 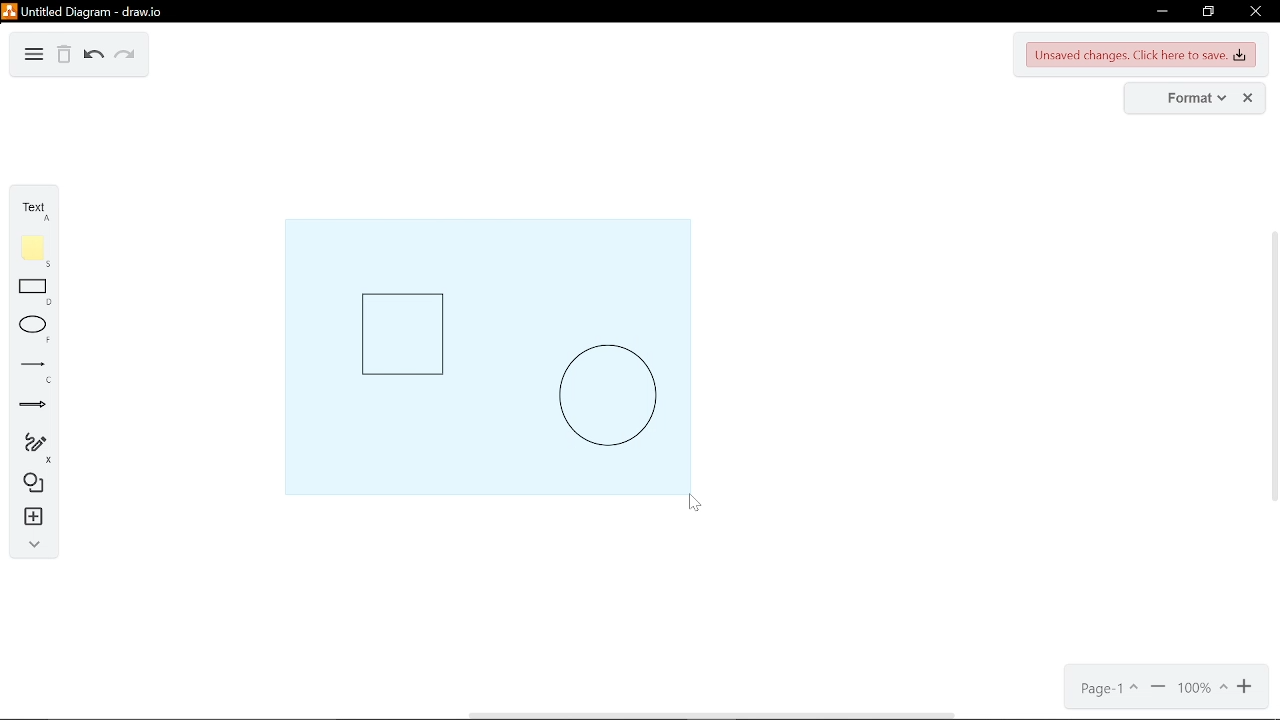 I want to click on current page, so click(x=1104, y=691).